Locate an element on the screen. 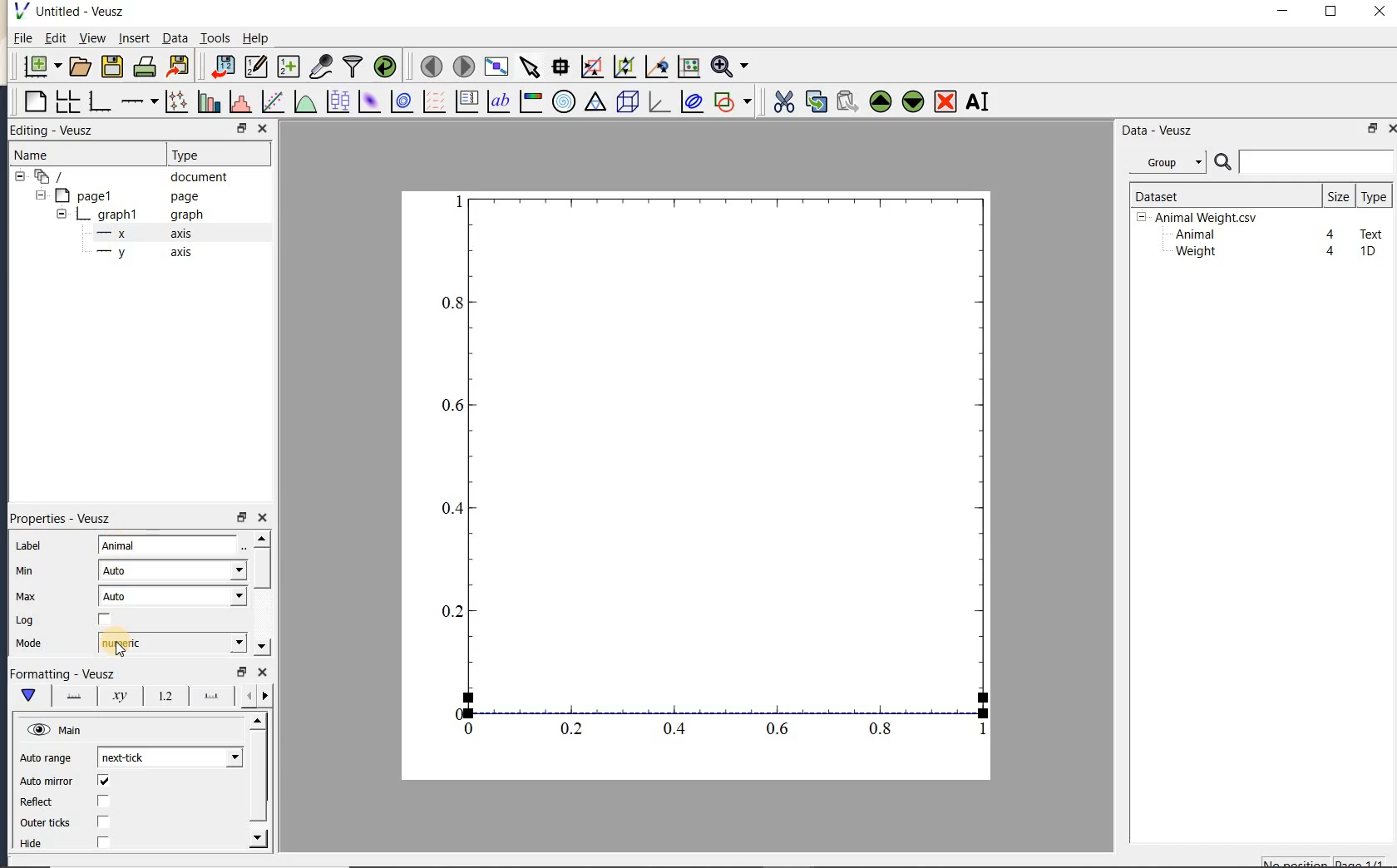 This screenshot has height=868, width=1397. plot points with lines and errorbars is located at coordinates (178, 101).